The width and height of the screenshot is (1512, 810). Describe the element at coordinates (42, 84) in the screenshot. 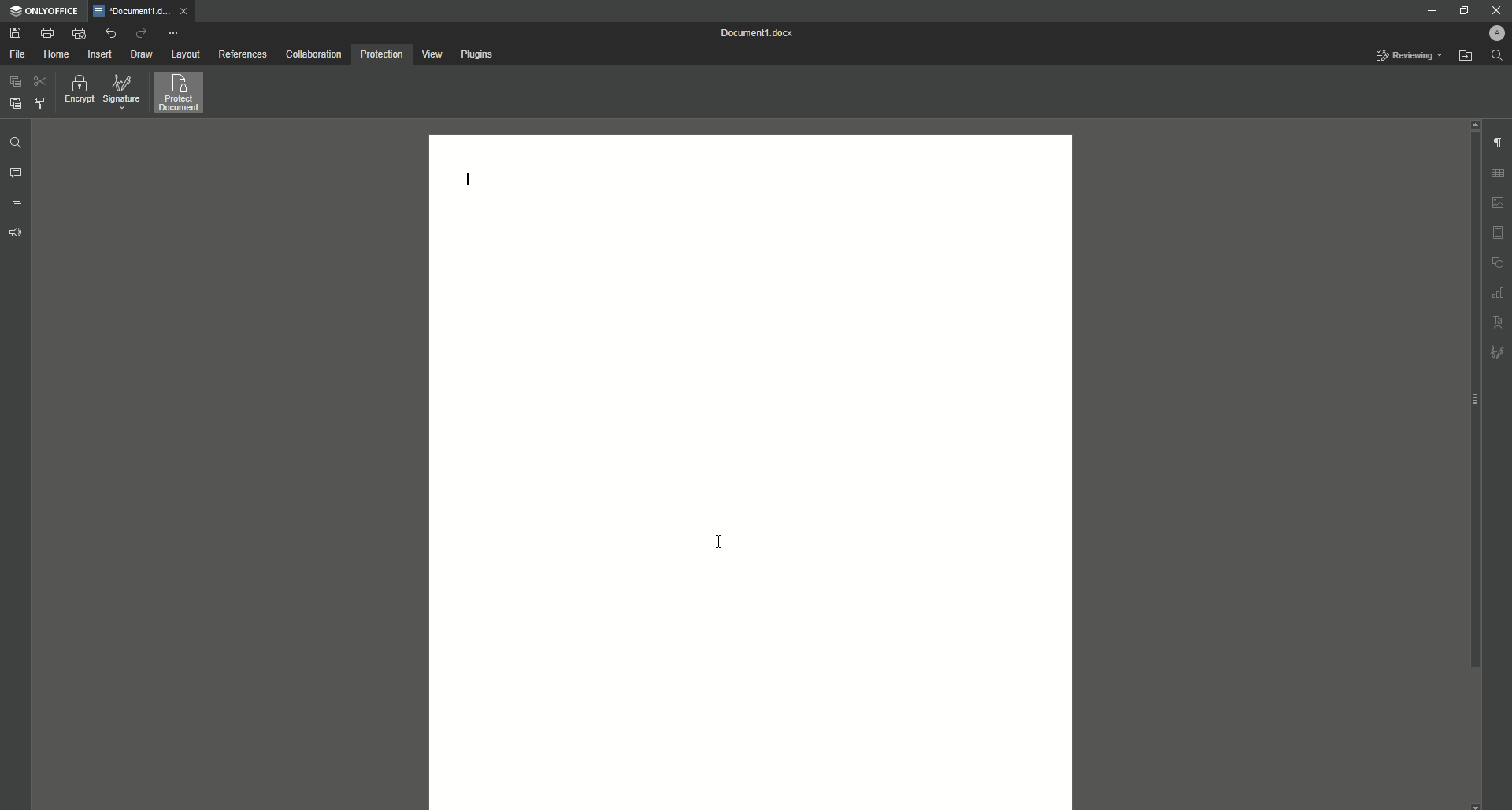

I see `Cut` at that location.